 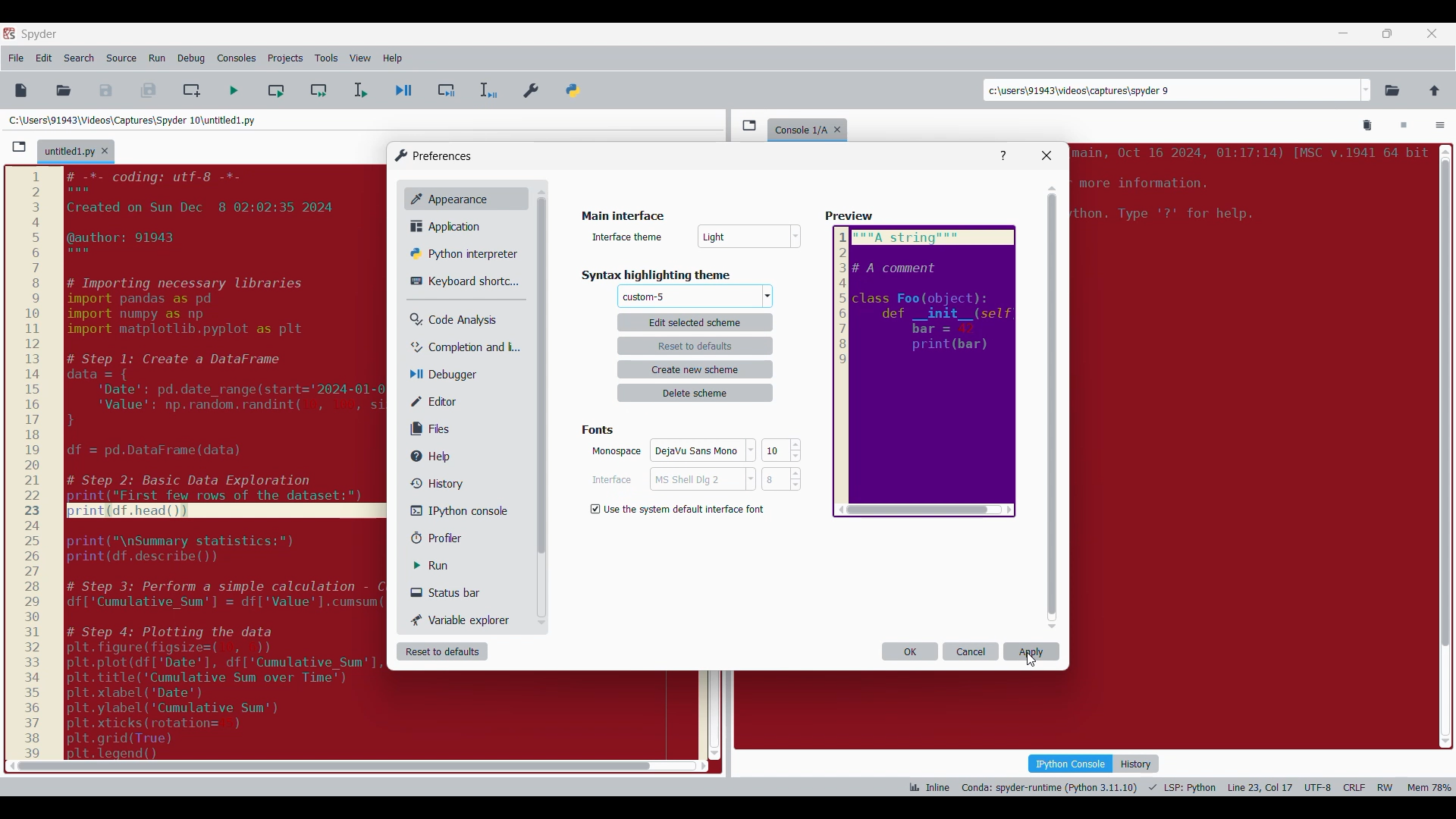 What do you see at coordinates (19, 147) in the screenshot?
I see `Browse tabs` at bounding box center [19, 147].